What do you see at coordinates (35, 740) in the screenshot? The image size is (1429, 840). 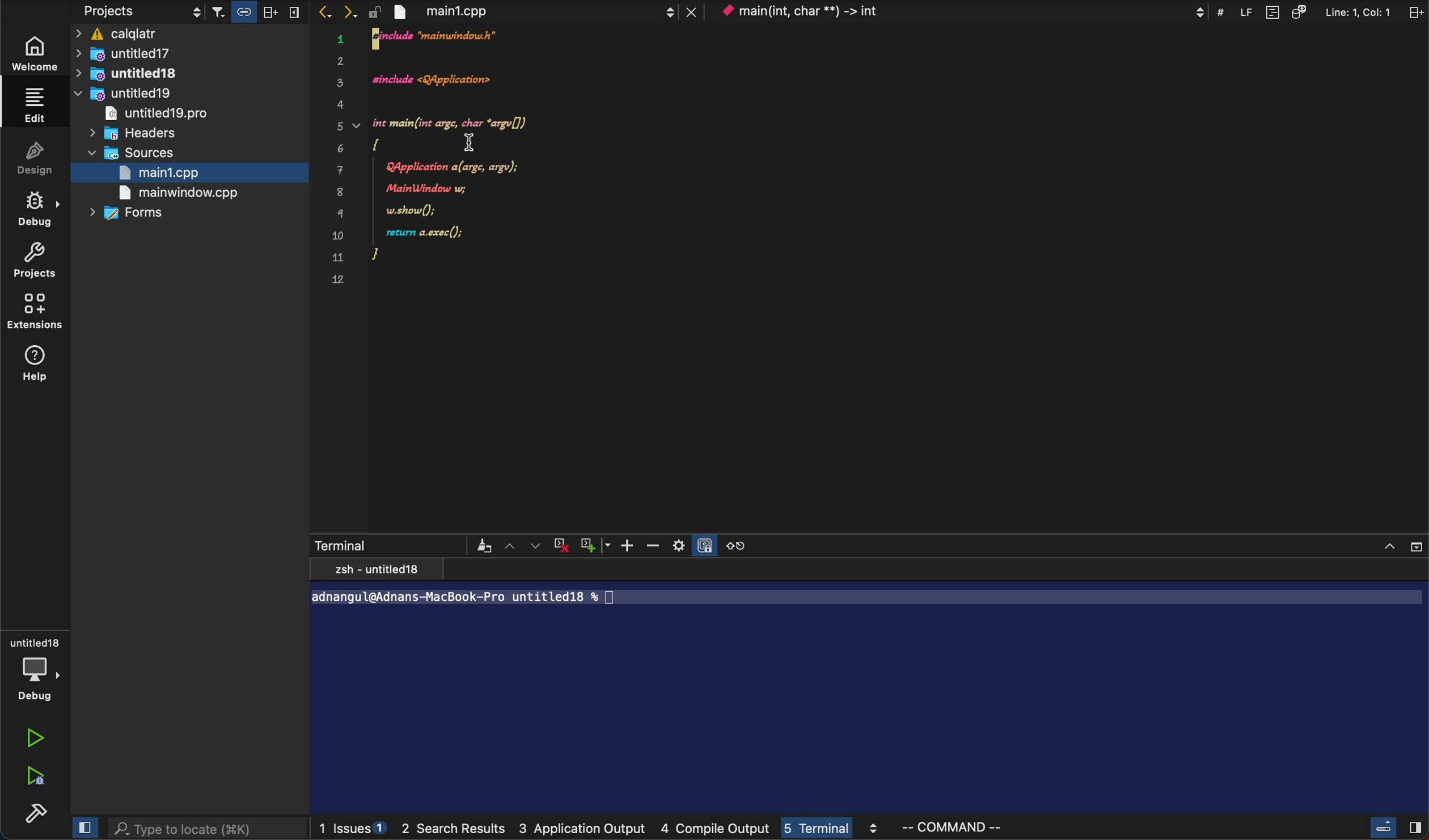 I see `run` at bounding box center [35, 740].